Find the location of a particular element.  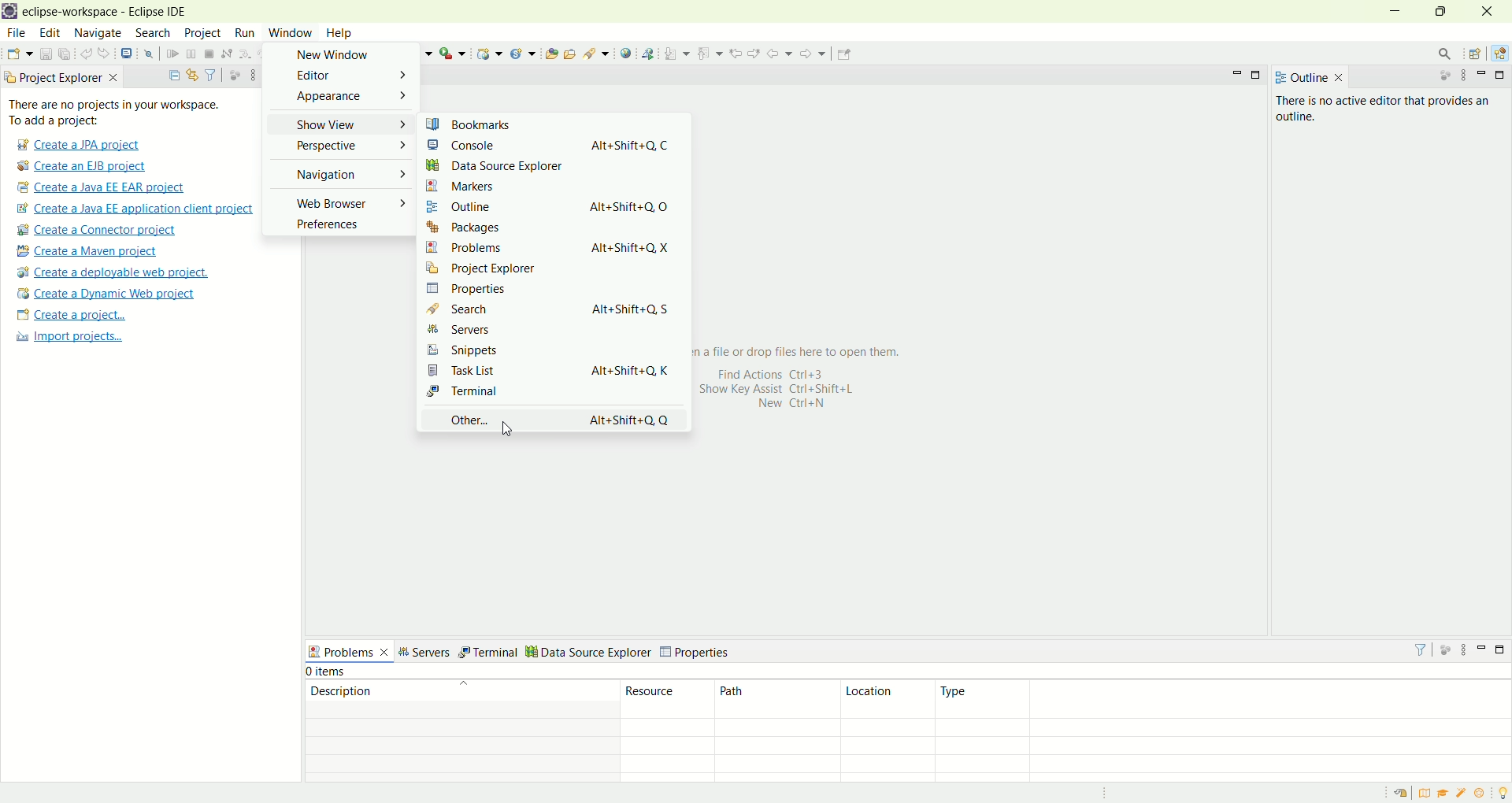

logo is located at coordinates (9, 11).